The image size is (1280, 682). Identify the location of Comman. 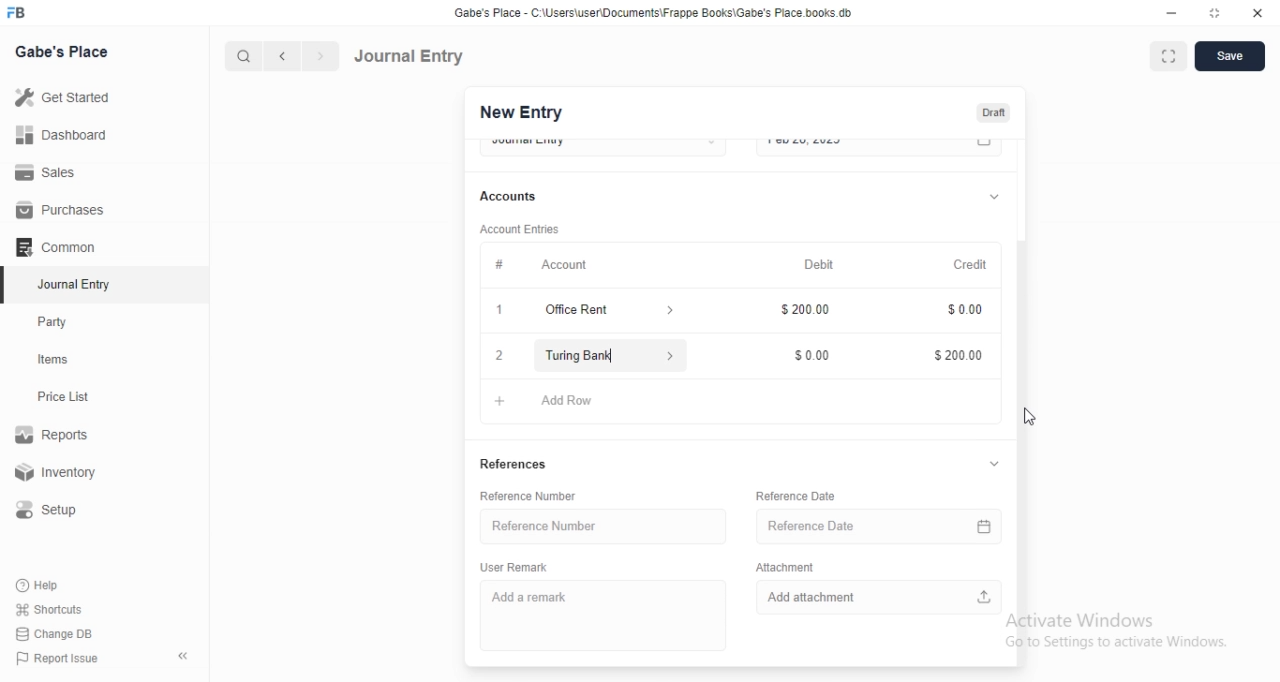
(49, 247).